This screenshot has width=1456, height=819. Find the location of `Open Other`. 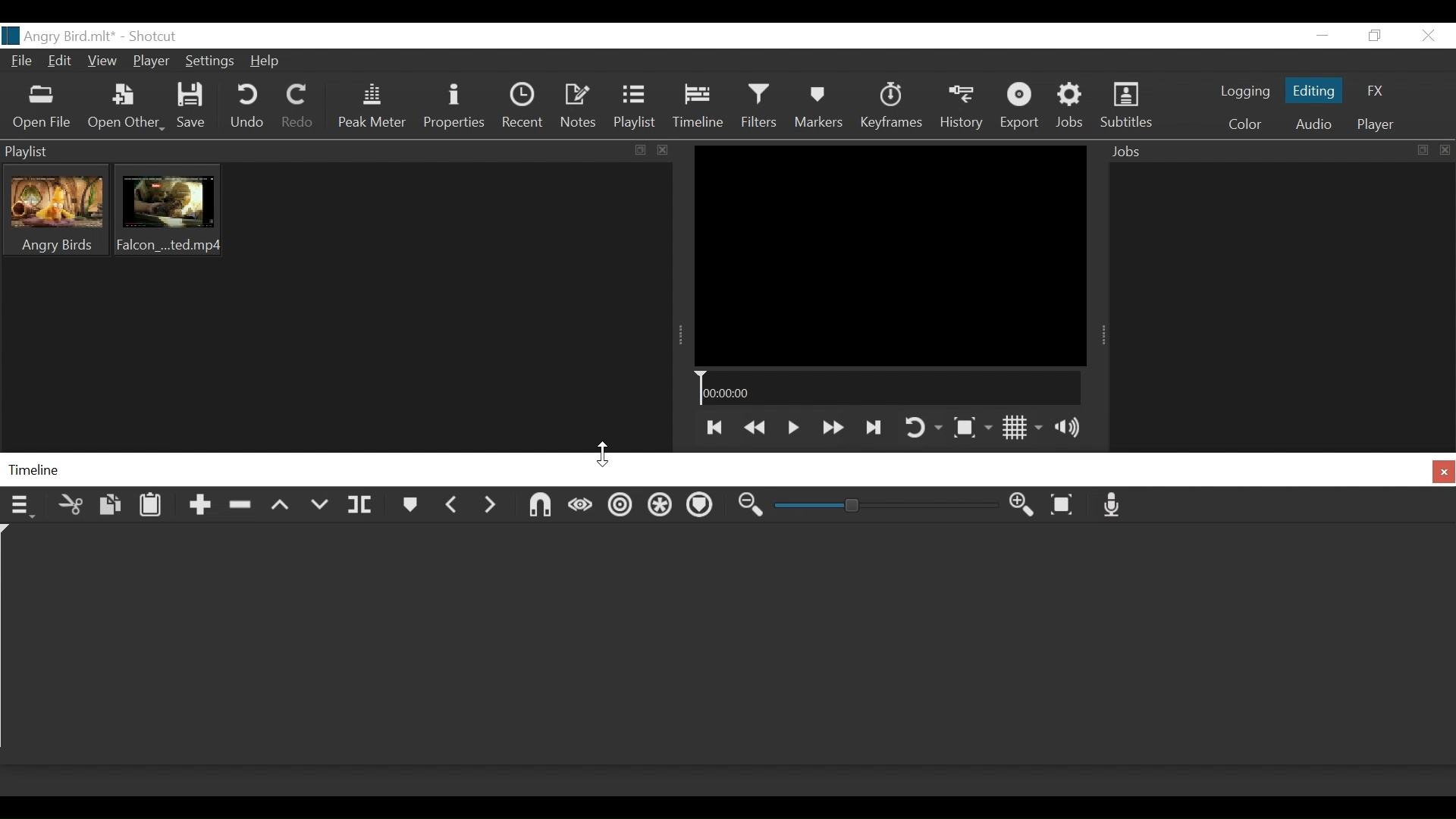

Open Other is located at coordinates (127, 109).